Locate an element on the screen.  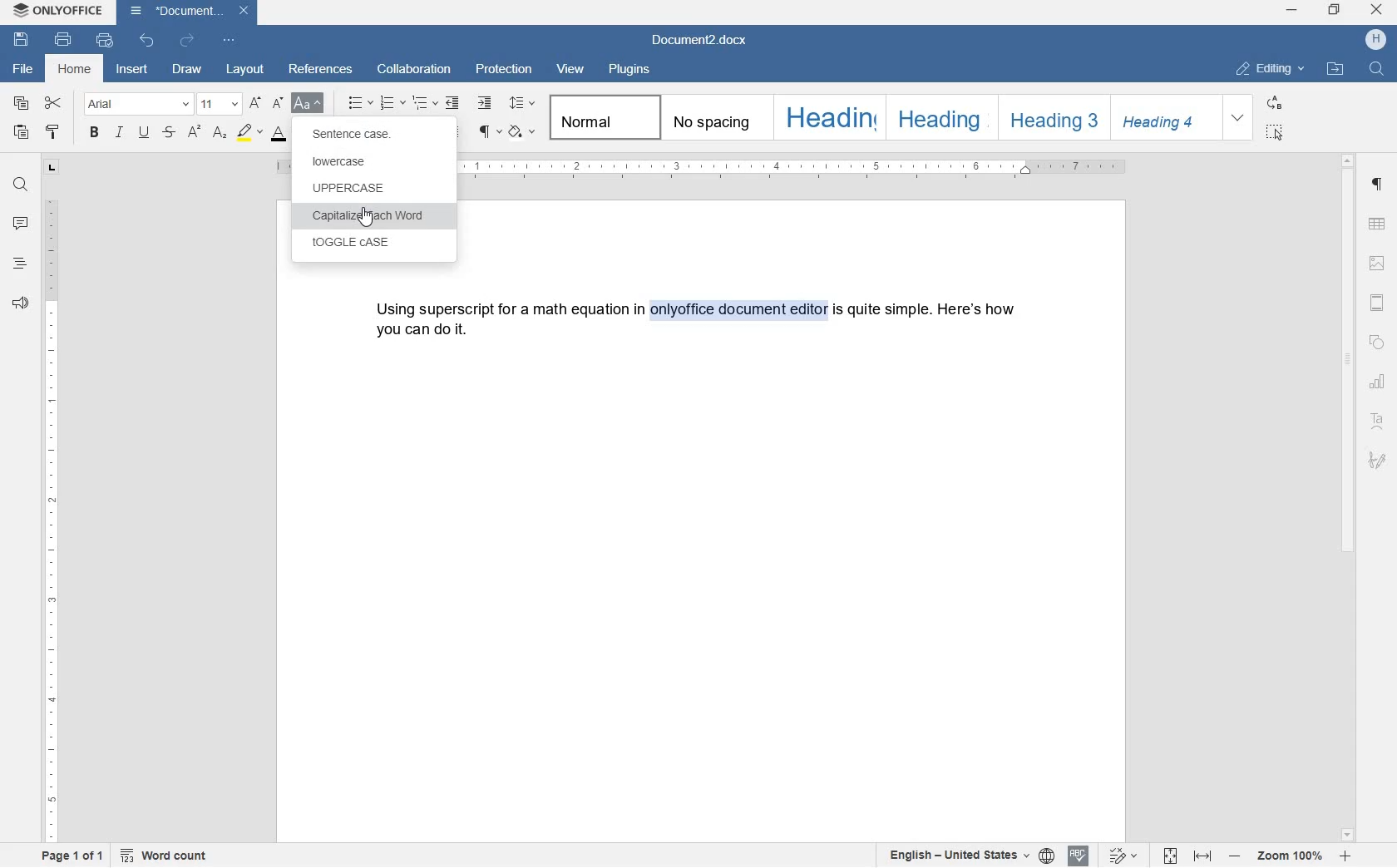
bold is located at coordinates (93, 133).